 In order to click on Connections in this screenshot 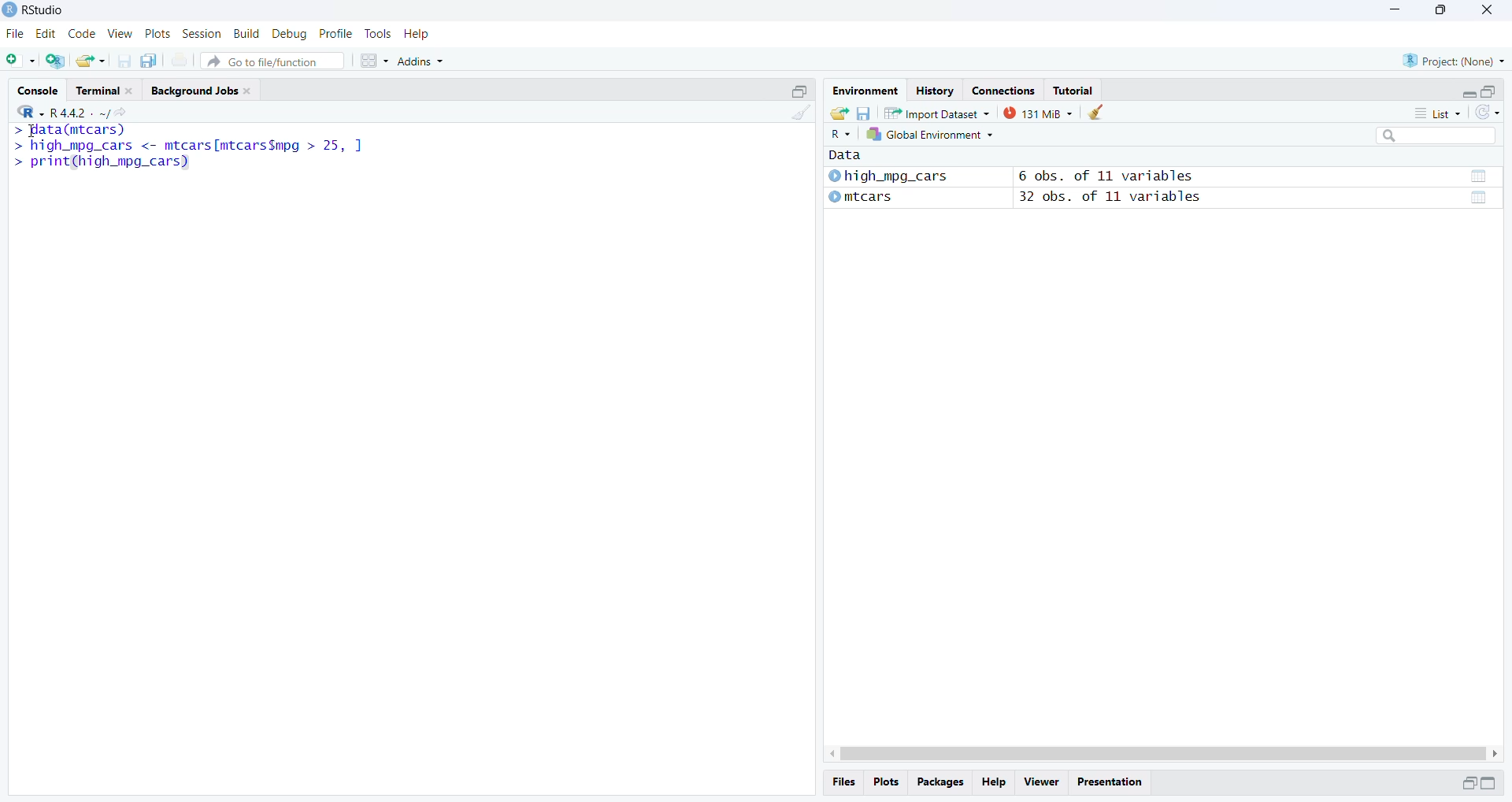, I will do `click(1004, 89)`.